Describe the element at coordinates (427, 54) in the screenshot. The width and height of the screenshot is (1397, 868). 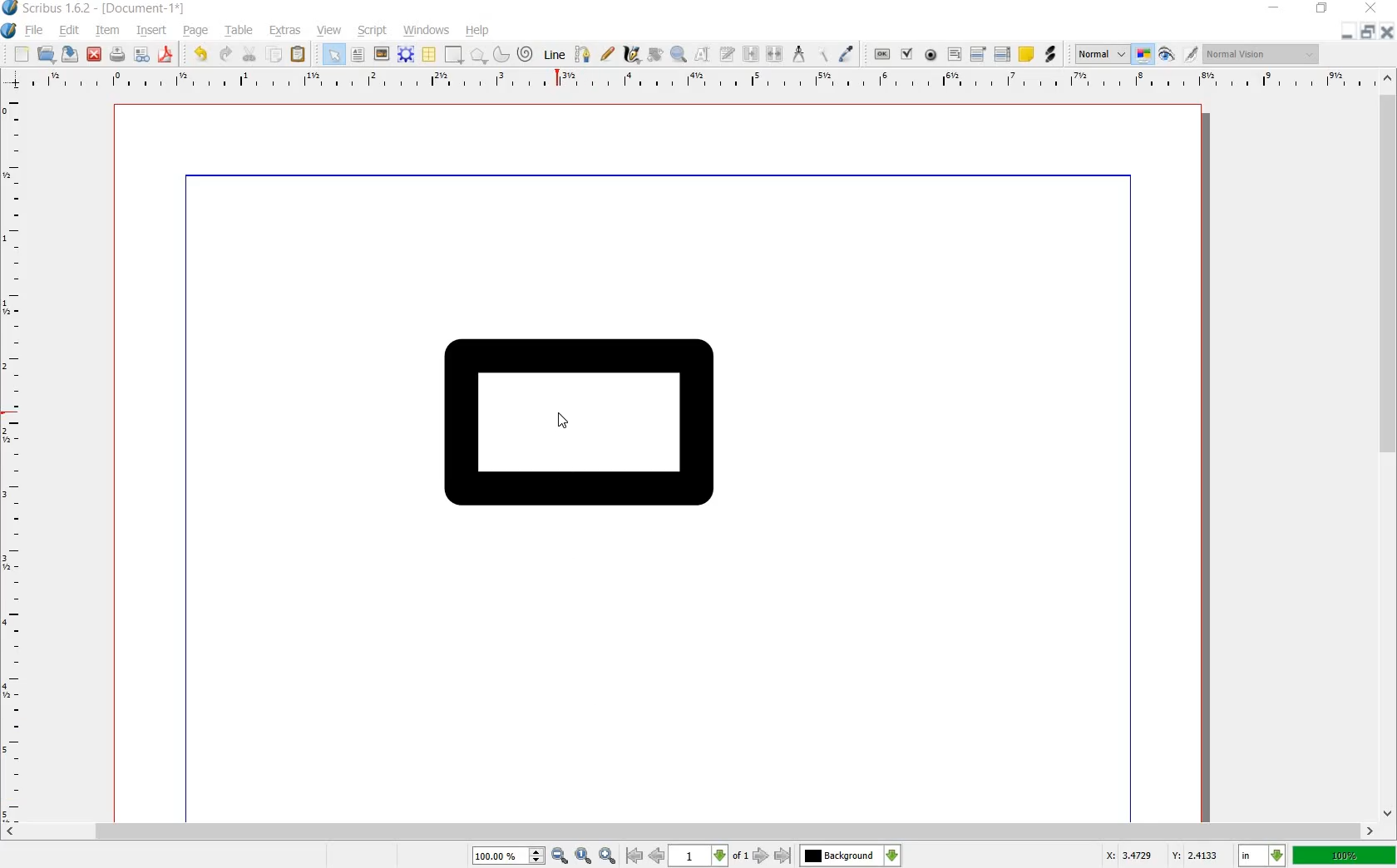
I see `table` at that location.